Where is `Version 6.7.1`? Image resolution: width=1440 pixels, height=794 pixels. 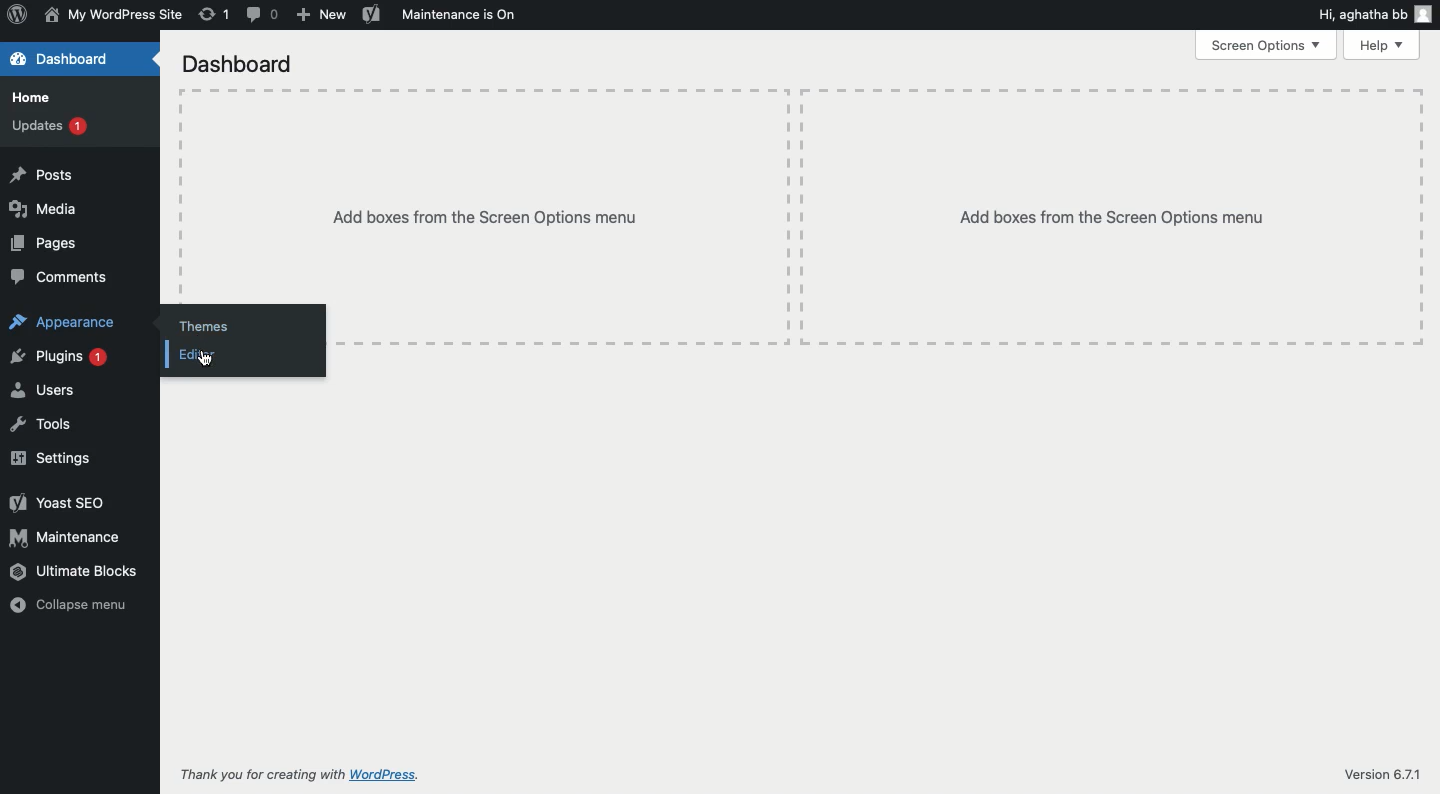 Version 6.7.1 is located at coordinates (1381, 777).